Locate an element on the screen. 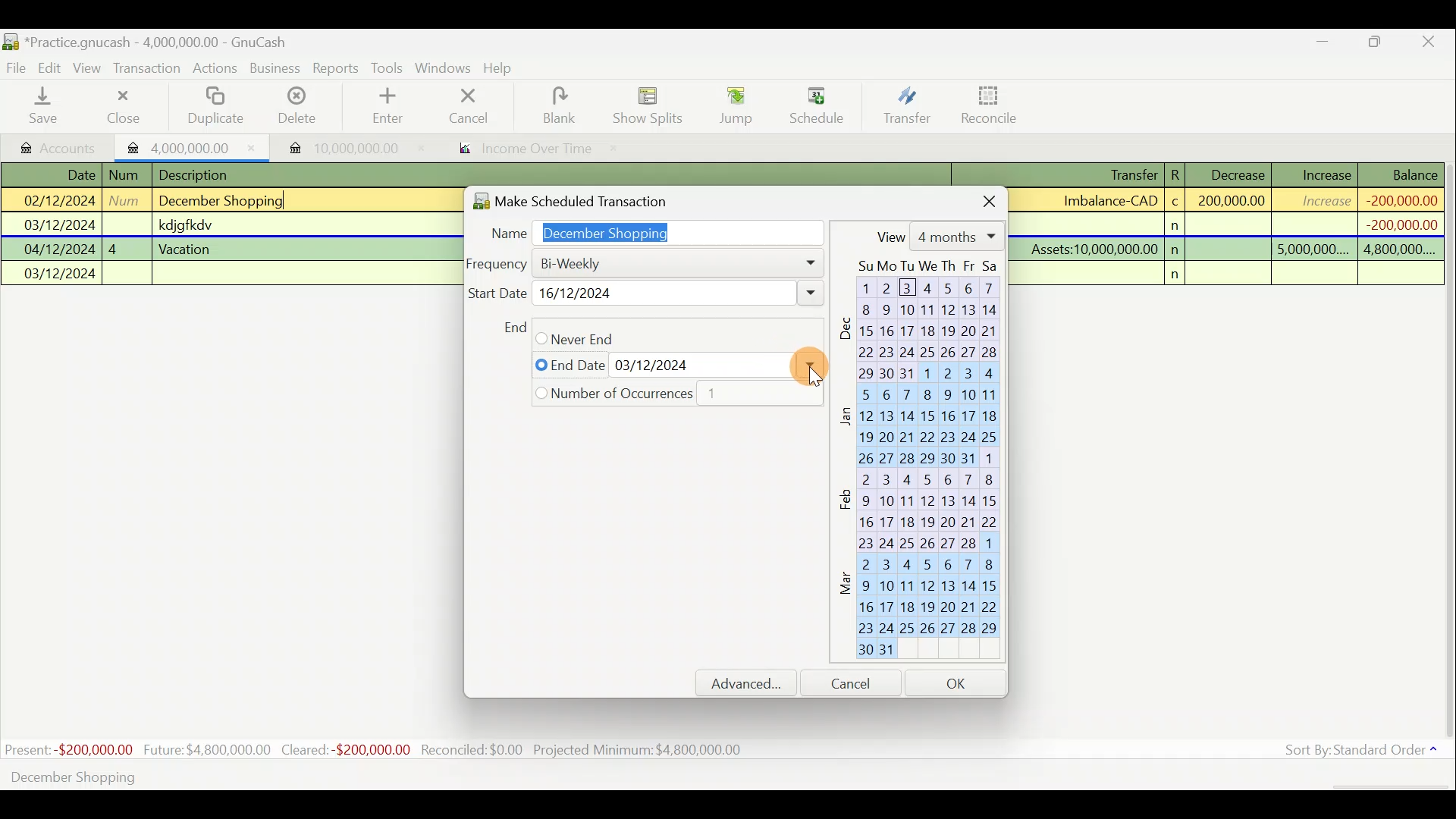 Image resolution: width=1456 pixels, height=819 pixels. Sort by is located at coordinates (1364, 753).